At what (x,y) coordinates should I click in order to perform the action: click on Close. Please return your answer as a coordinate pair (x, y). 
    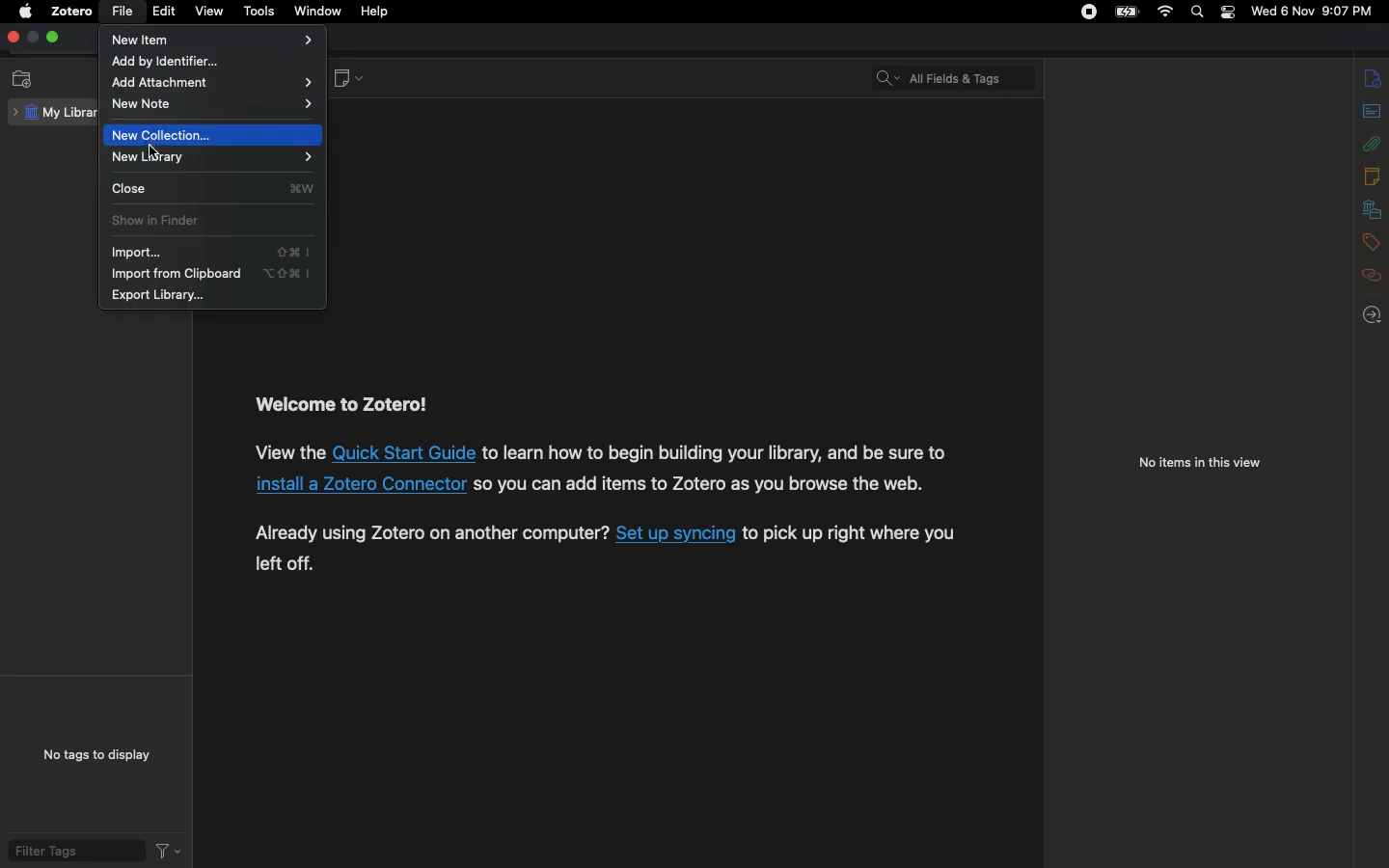
    Looking at the image, I should click on (213, 188).